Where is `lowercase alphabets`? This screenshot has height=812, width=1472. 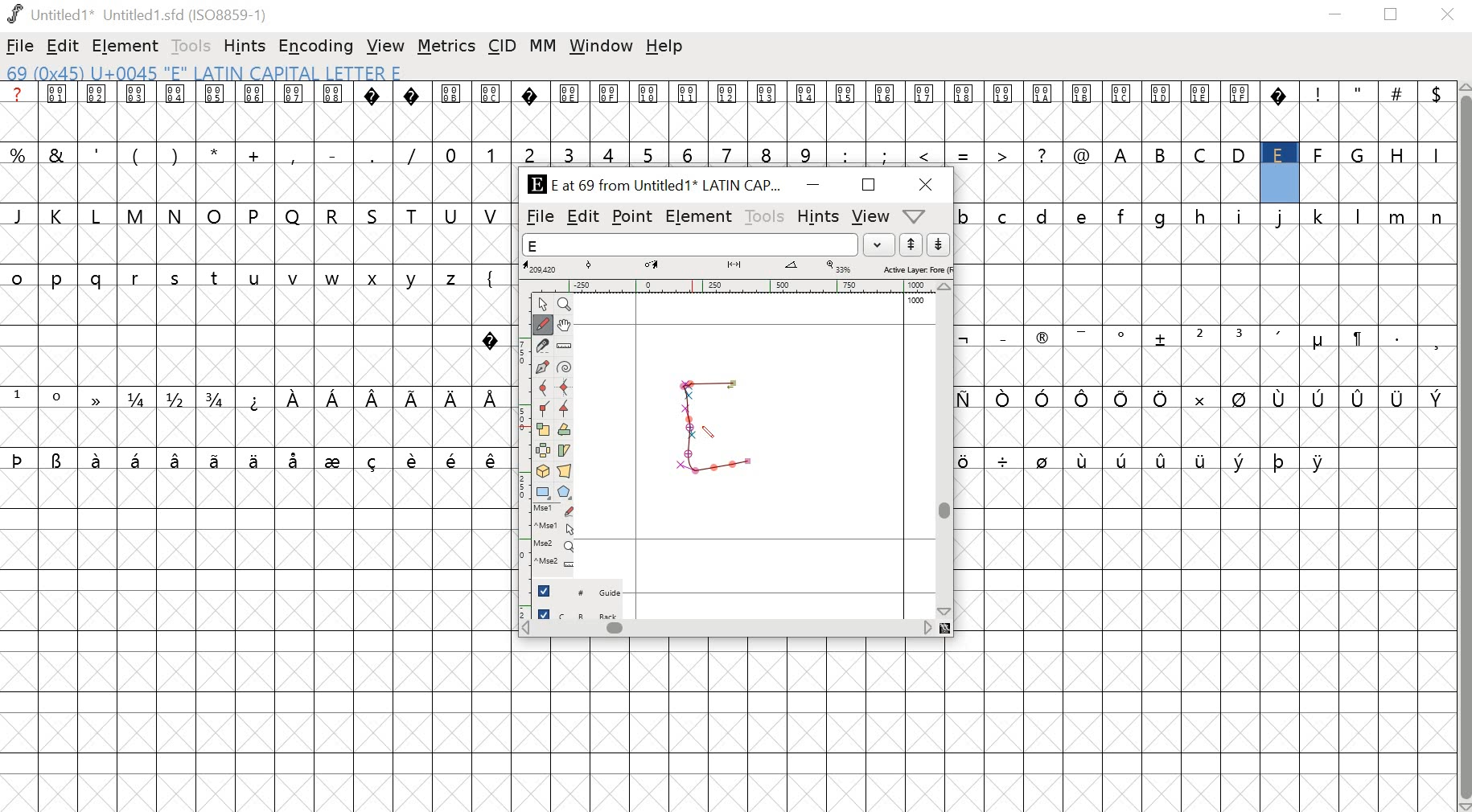 lowercase alphabets is located at coordinates (1203, 215).